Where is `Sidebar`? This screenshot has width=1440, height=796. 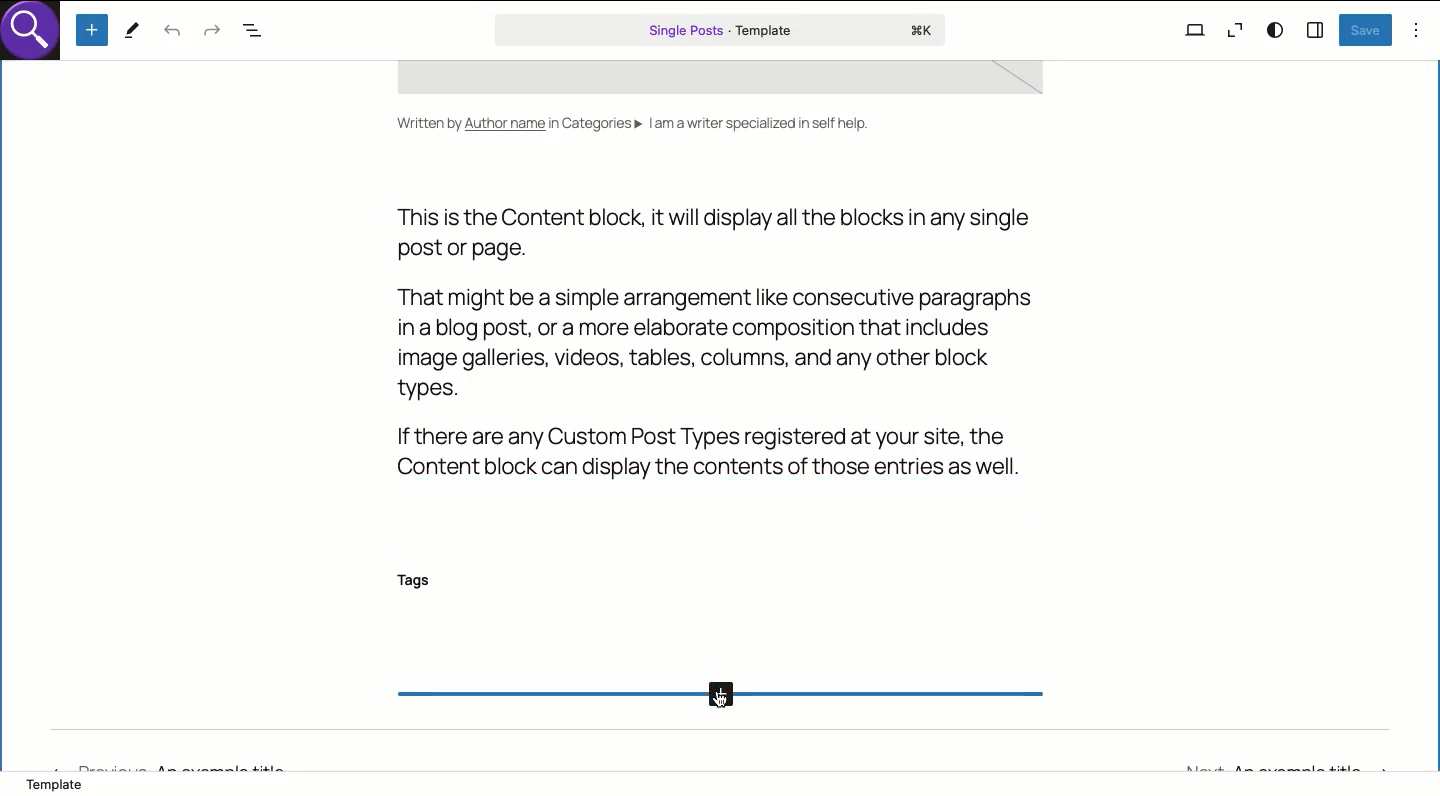 Sidebar is located at coordinates (1316, 28).